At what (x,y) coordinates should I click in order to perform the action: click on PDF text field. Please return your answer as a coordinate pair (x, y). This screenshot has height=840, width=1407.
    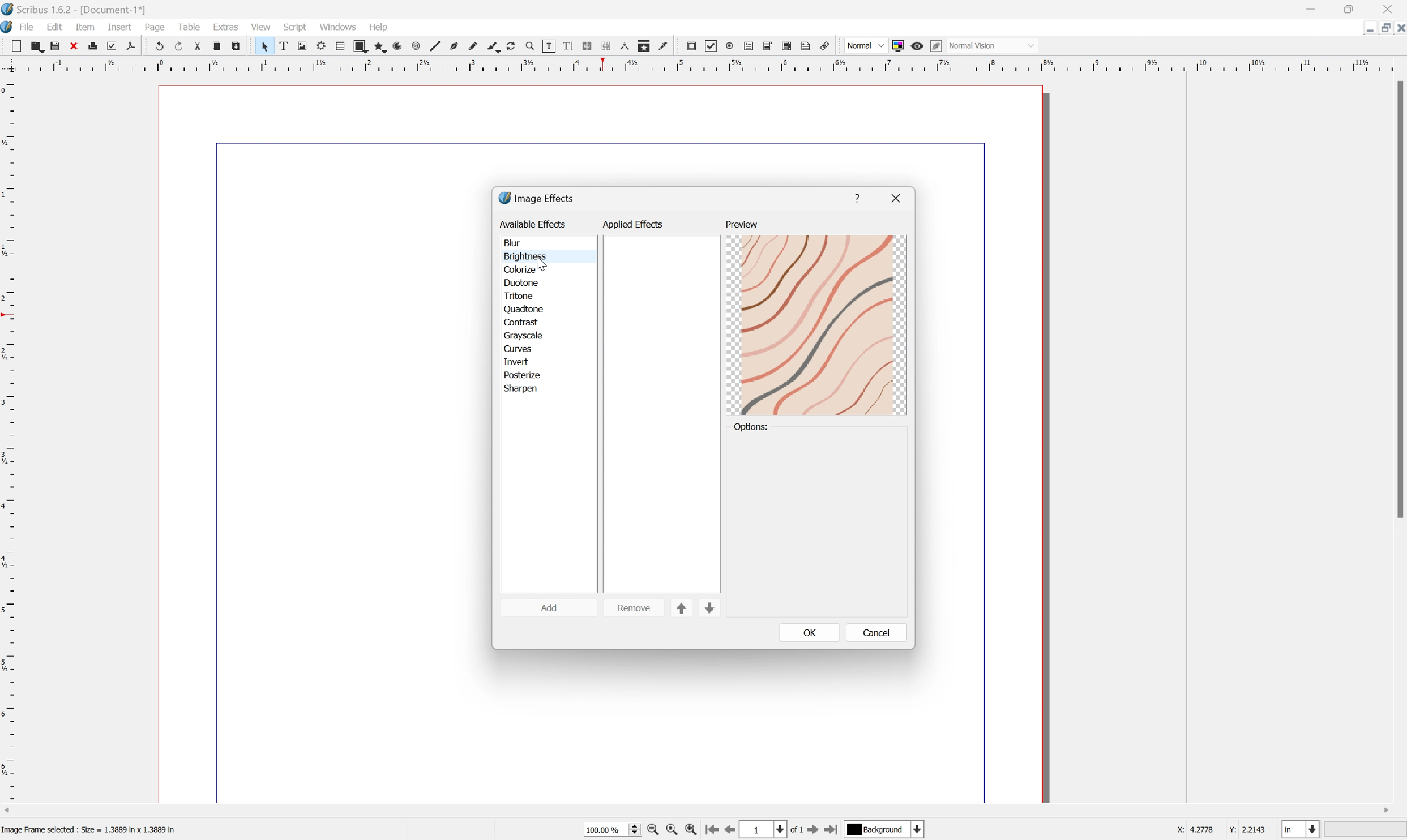
    Looking at the image, I should click on (747, 47).